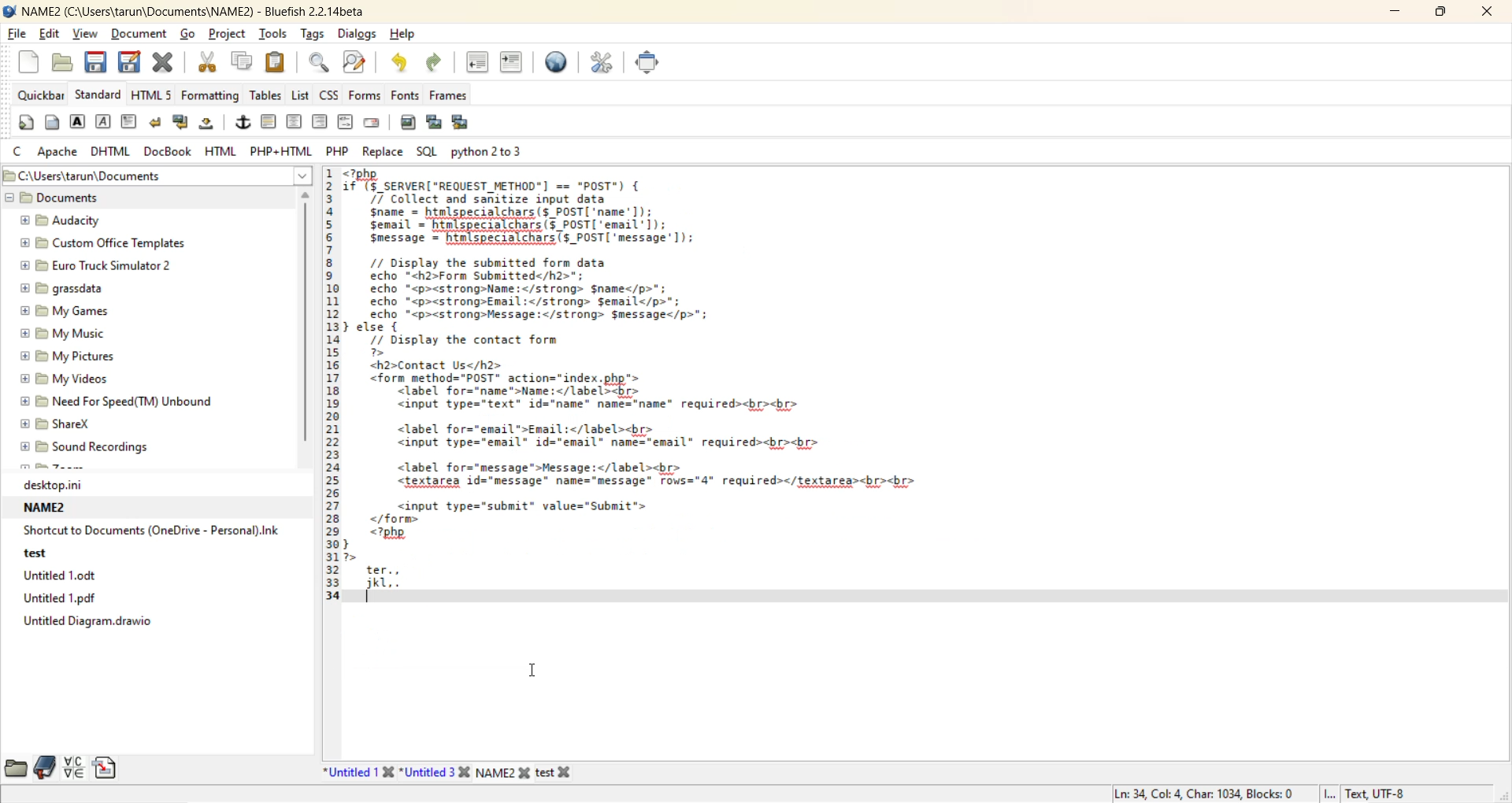 This screenshot has height=803, width=1512. Describe the element at coordinates (184, 124) in the screenshot. I see `break and clear` at that location.